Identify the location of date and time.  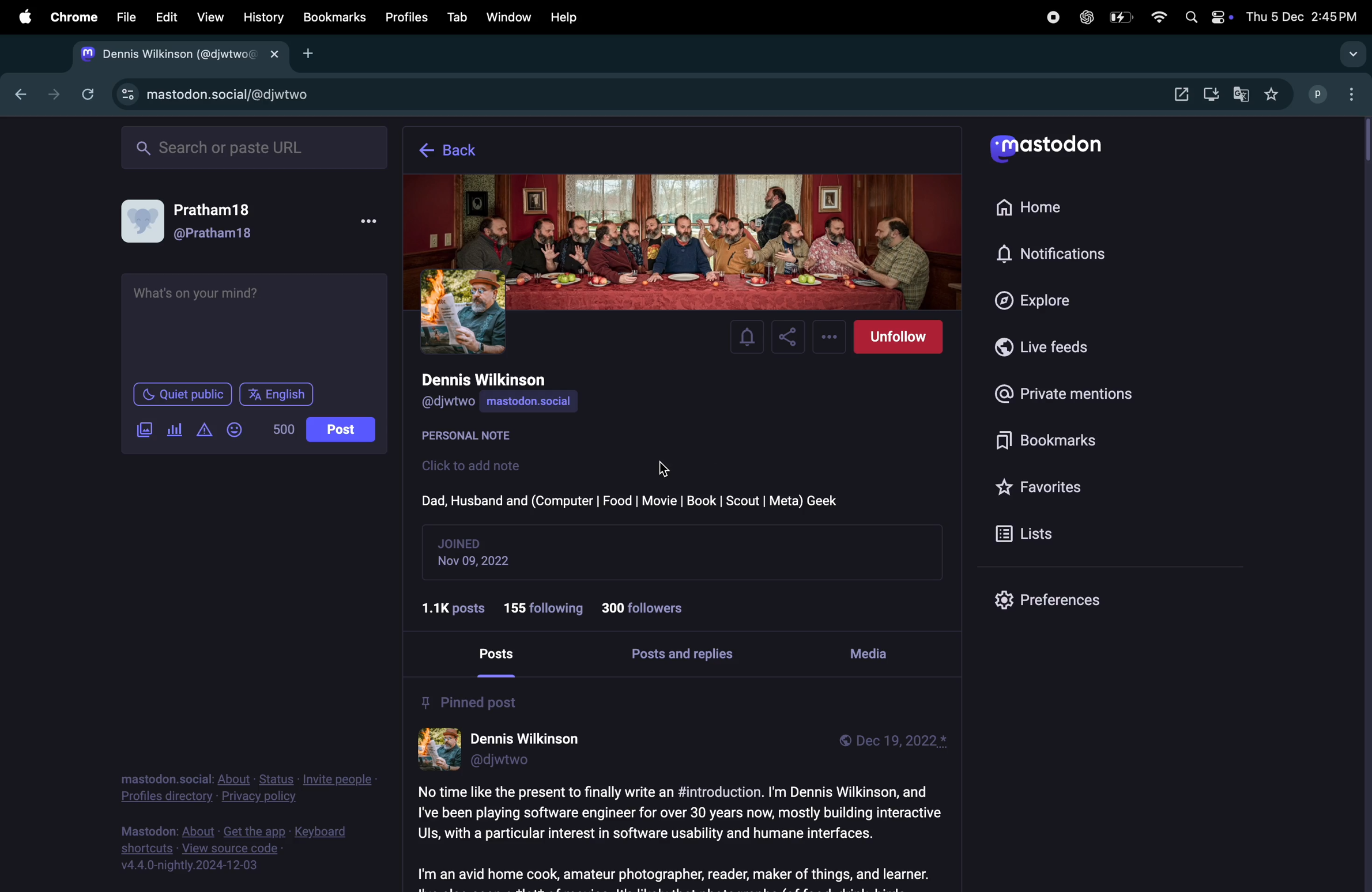
(1305, 18).